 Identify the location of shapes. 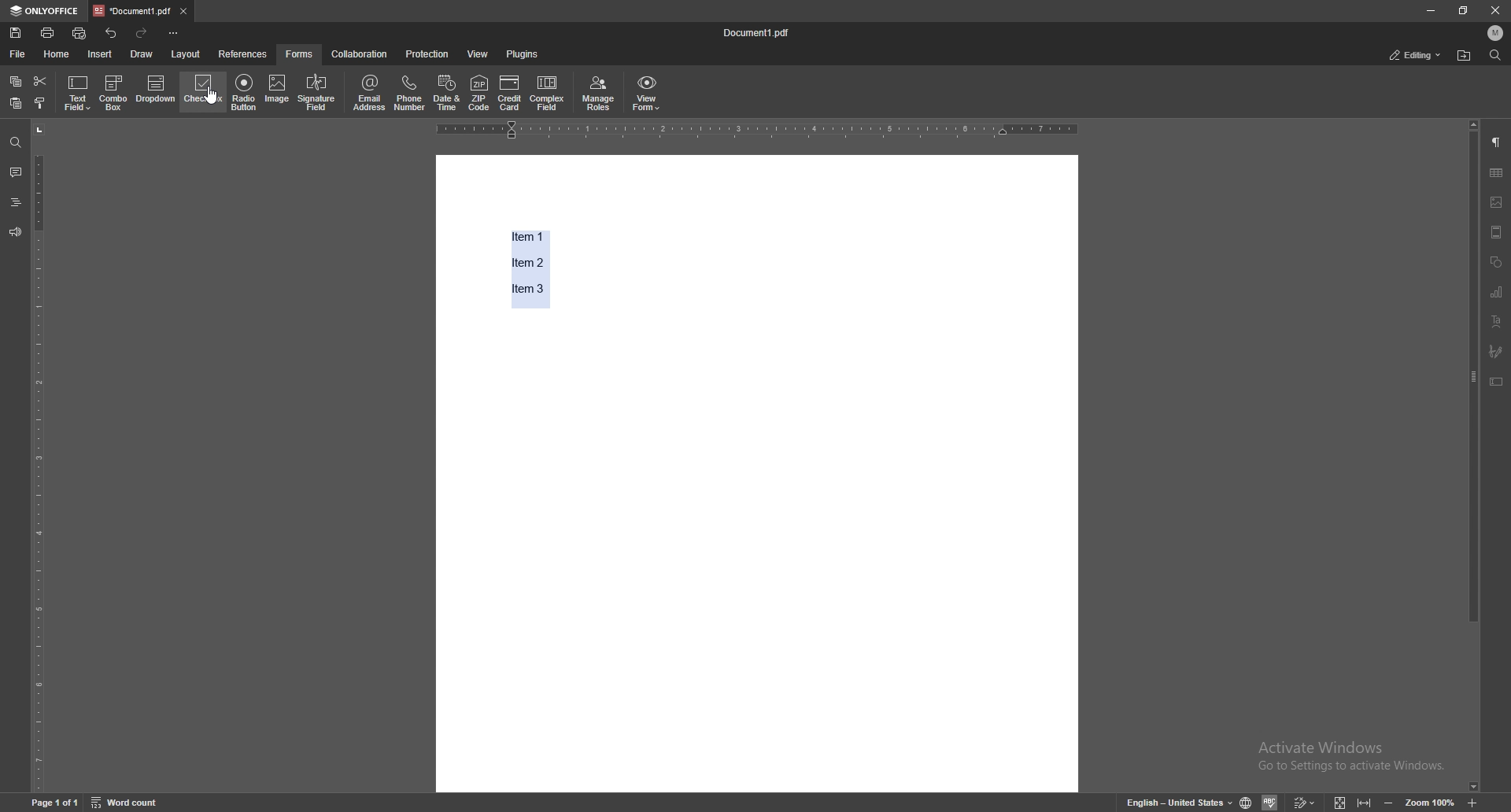
(1498, 262).